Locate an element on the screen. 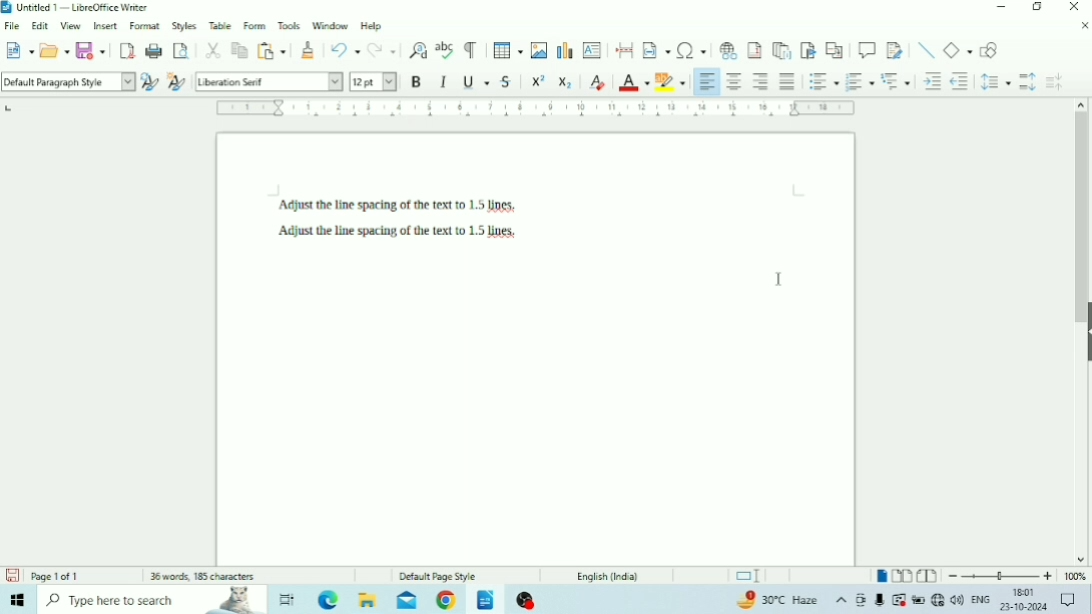 This screenshot has width=1092, height=614. Select Outline Format is located at coordinates (896, 81).